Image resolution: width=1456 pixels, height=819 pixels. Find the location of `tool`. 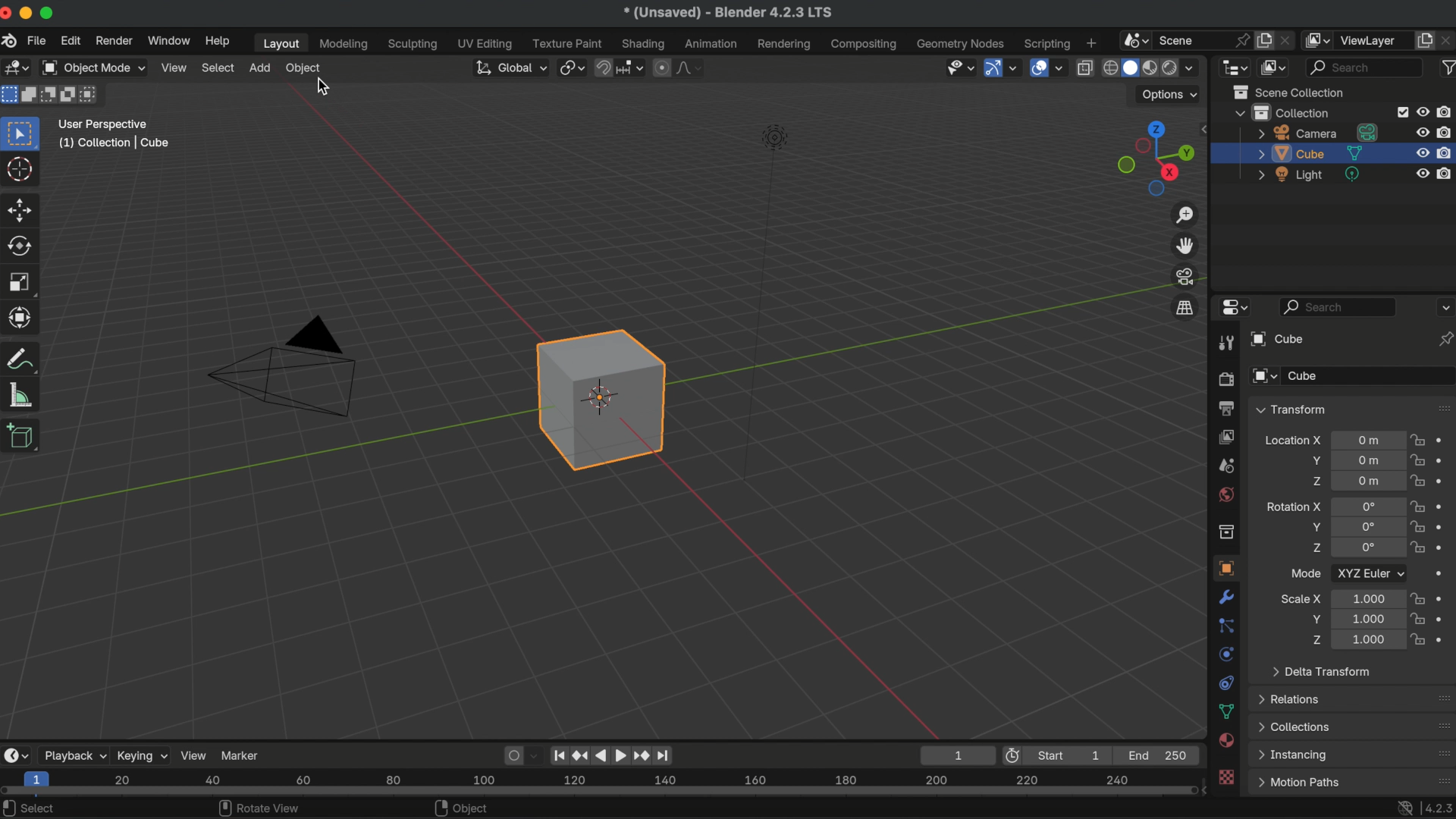

tool is located at coordinates (1224, 344).